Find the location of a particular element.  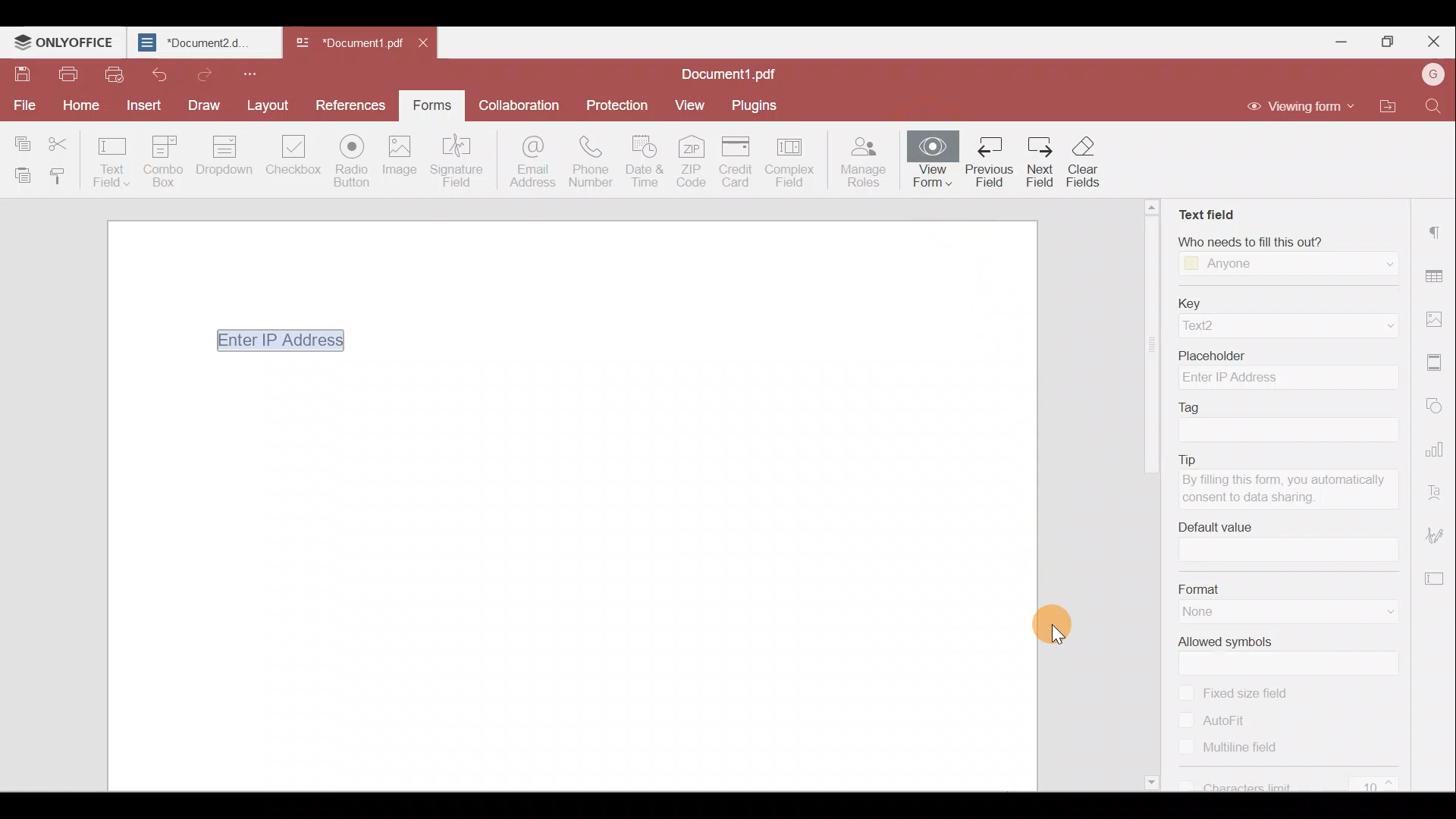

Cursor on view form is located at coordinates (955, 71).